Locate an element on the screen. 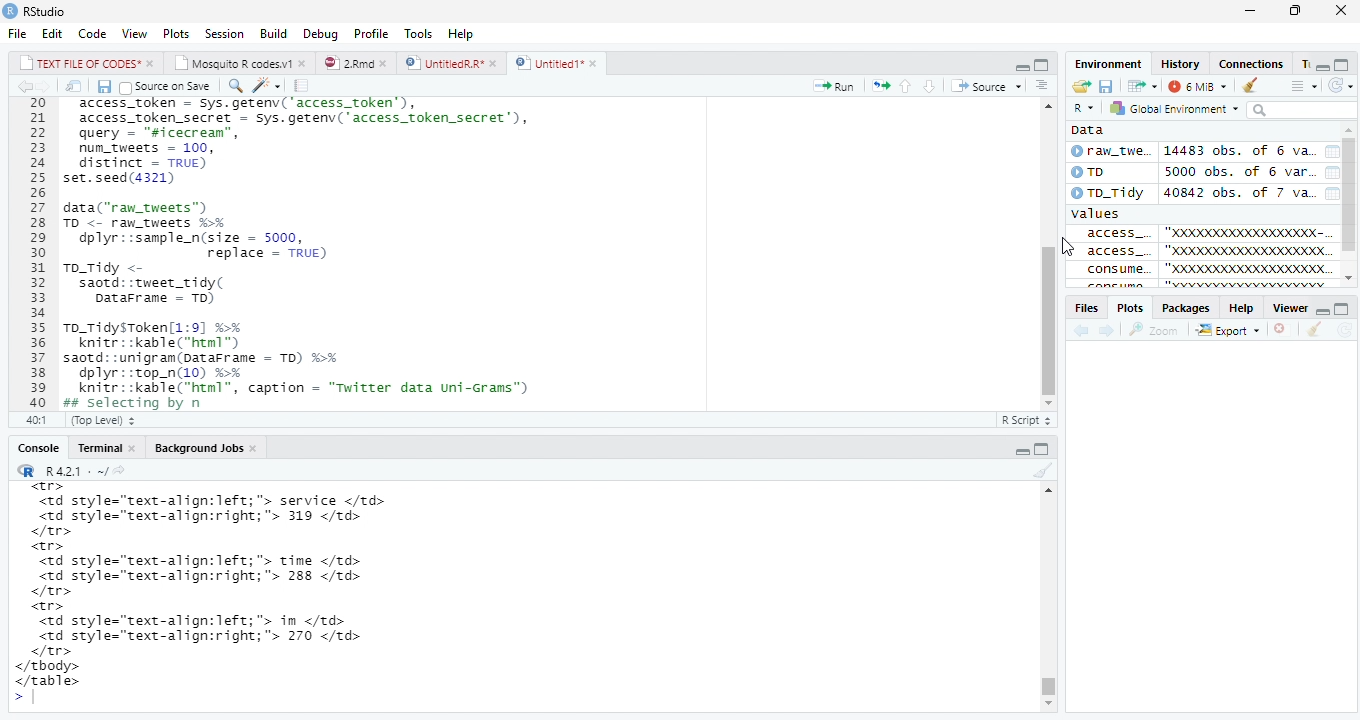 The image size is (1360, 720). Zoom  is located at coordinates (1161, 330).